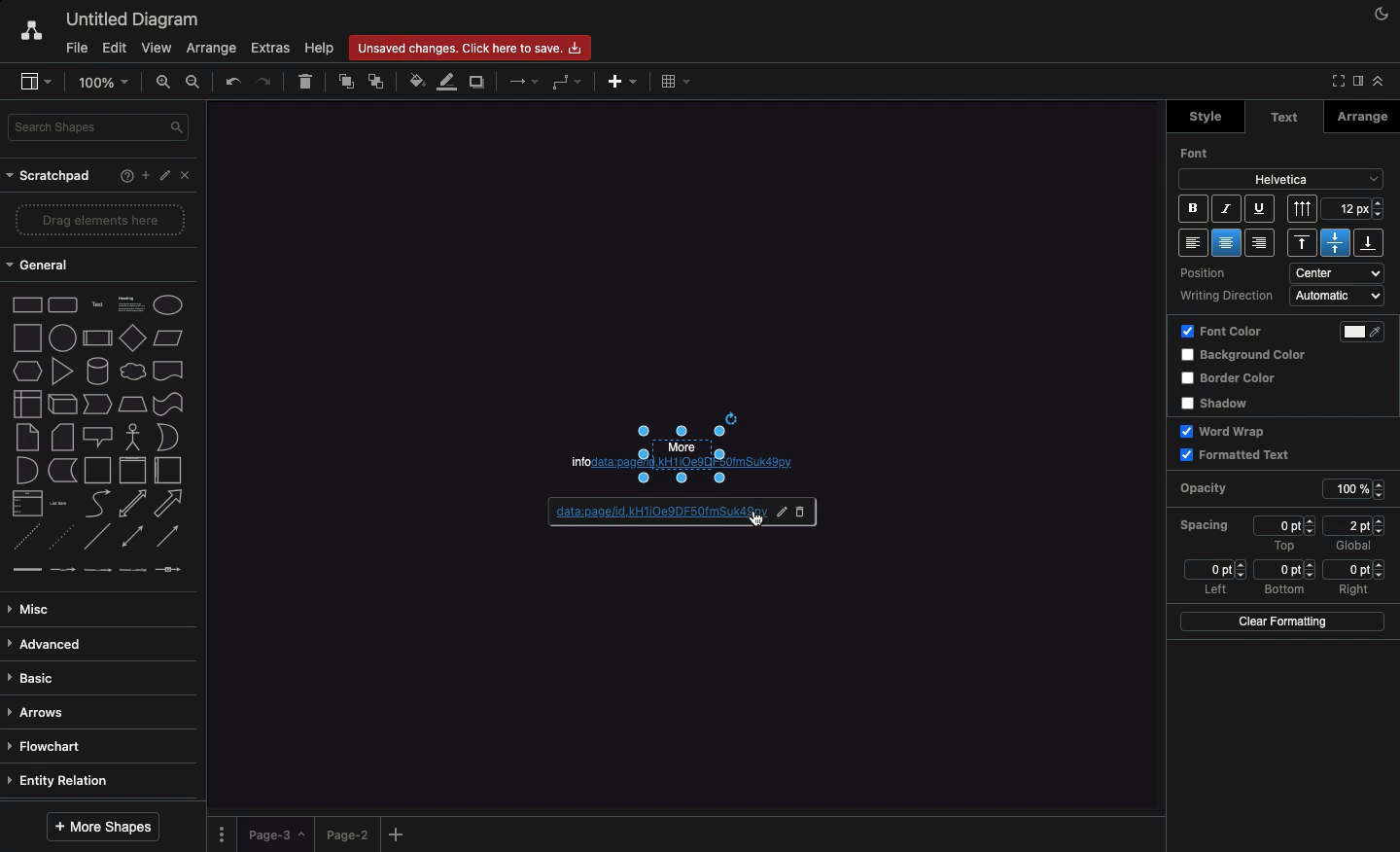 The height and width of the screenshot is (852, 1400). What do you see at coordinates (52, 177) in the screenshot?
I see `Scratchpad` at bounding box center [52, 177].